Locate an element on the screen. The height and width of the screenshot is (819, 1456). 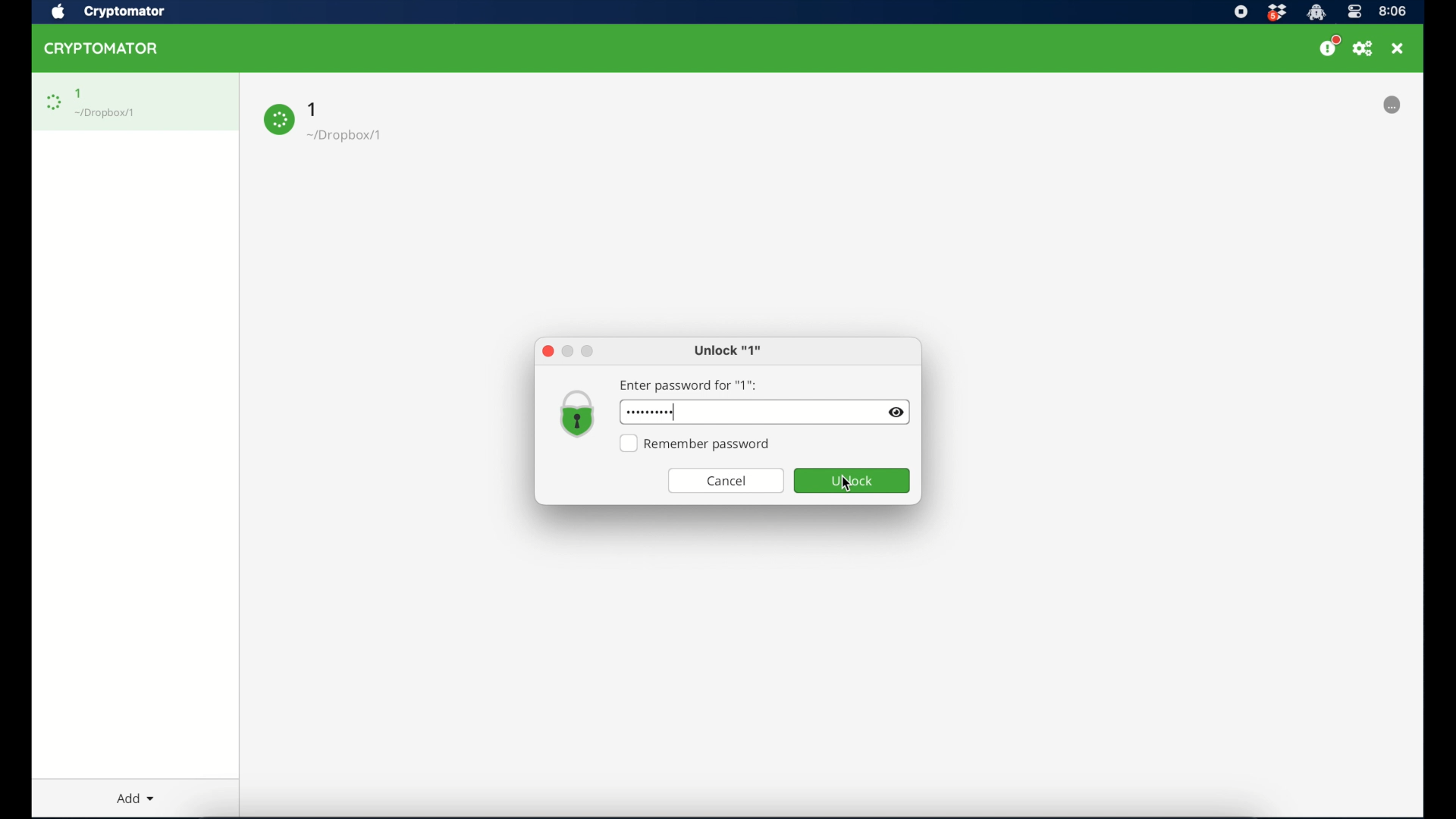
remember password checkbox is located at coordinates (695, 444).